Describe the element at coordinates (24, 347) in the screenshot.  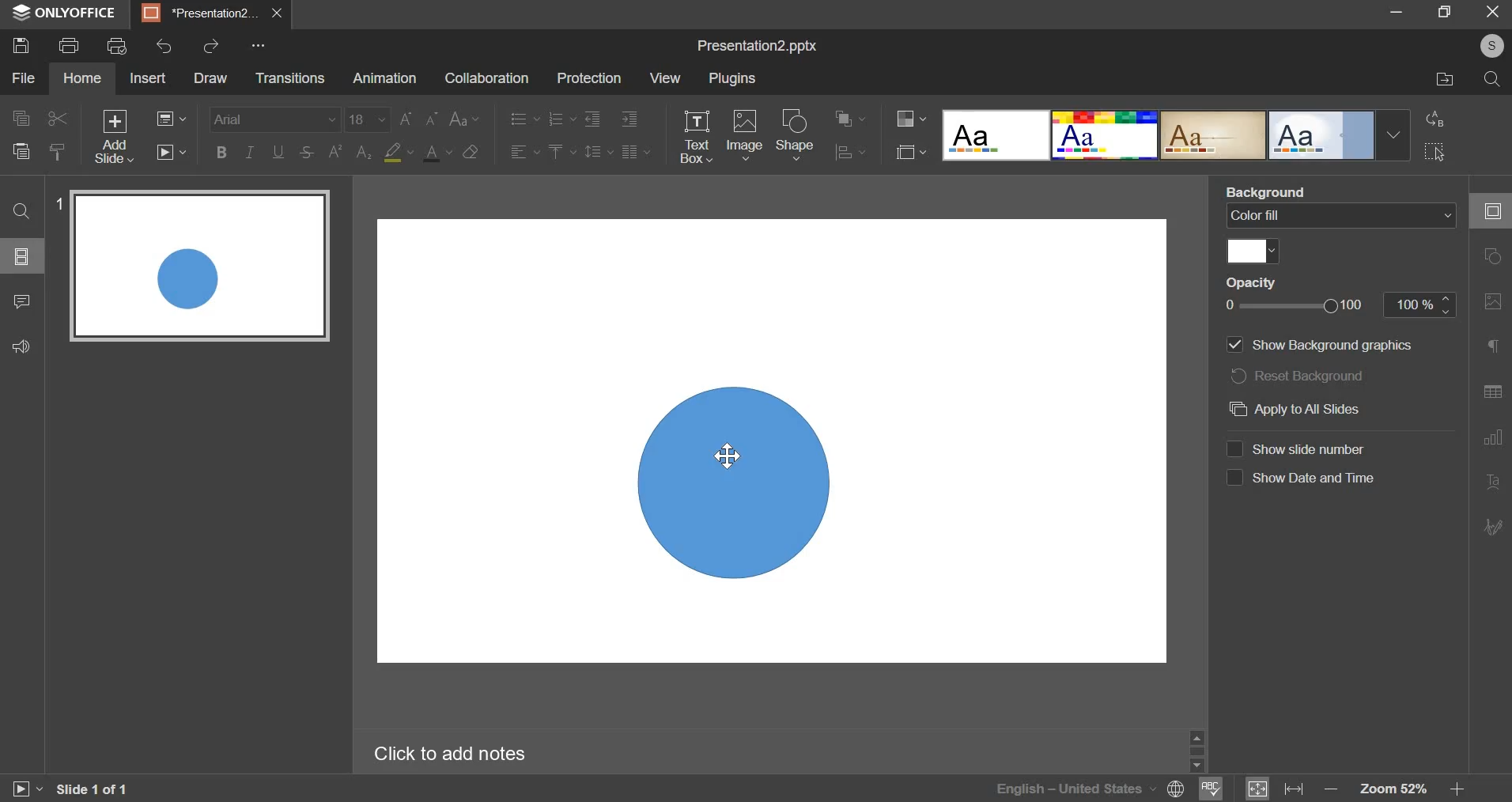
I see `feedback` at that location.